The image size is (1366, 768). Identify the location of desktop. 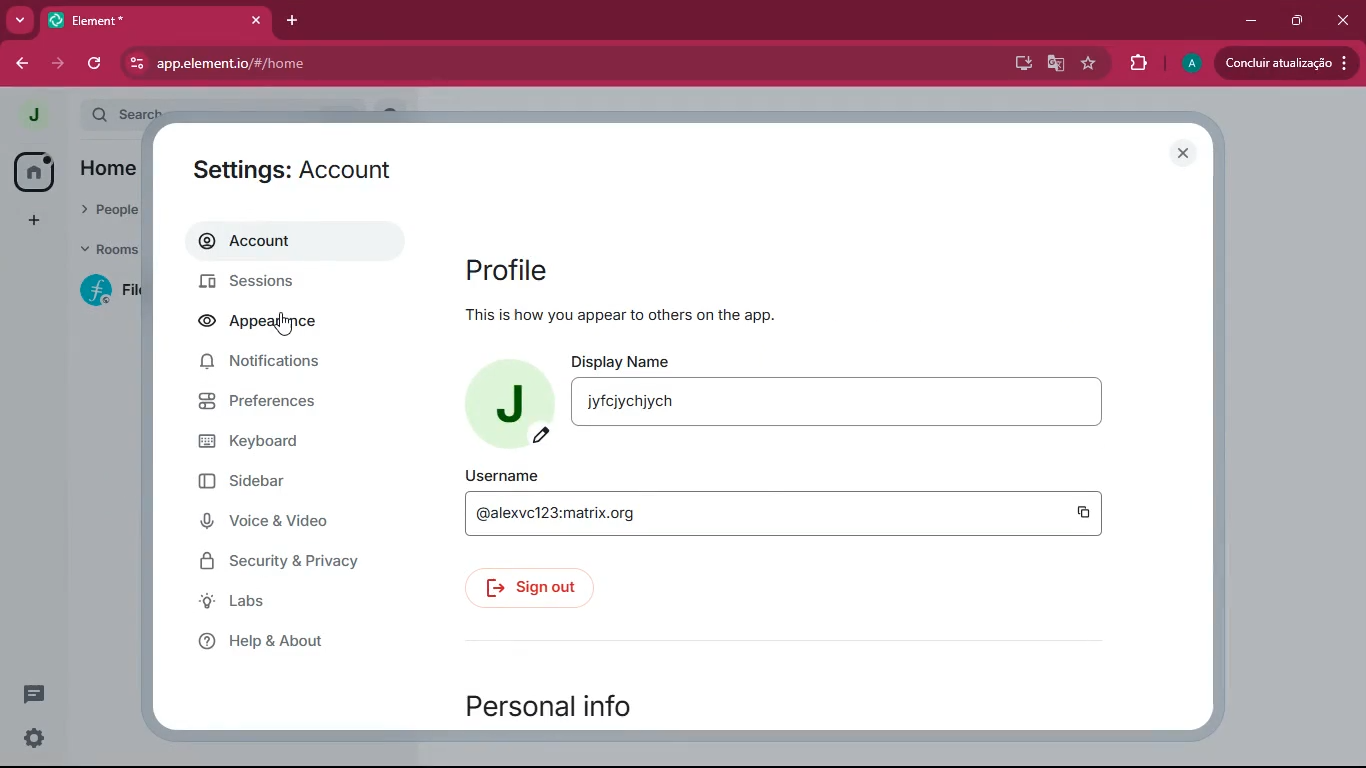
(1019, 64).